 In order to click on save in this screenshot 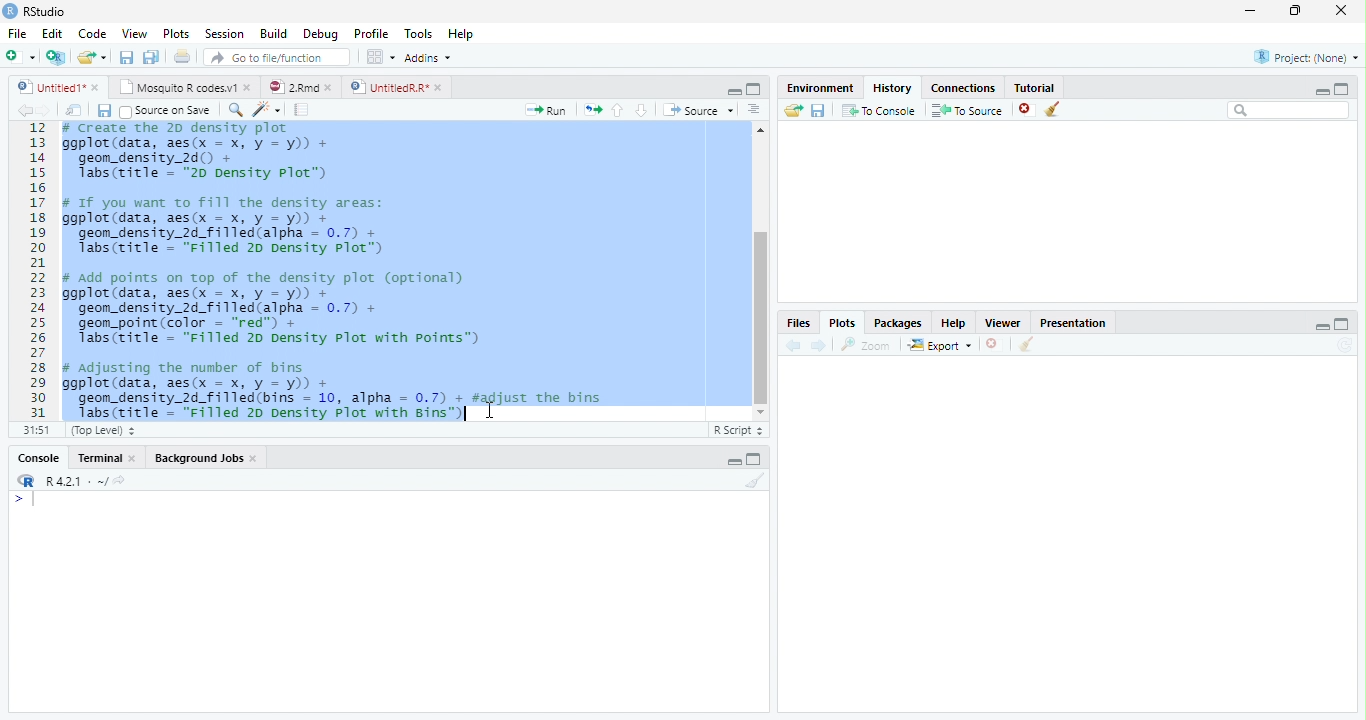, I will do `click(104, 111)`.